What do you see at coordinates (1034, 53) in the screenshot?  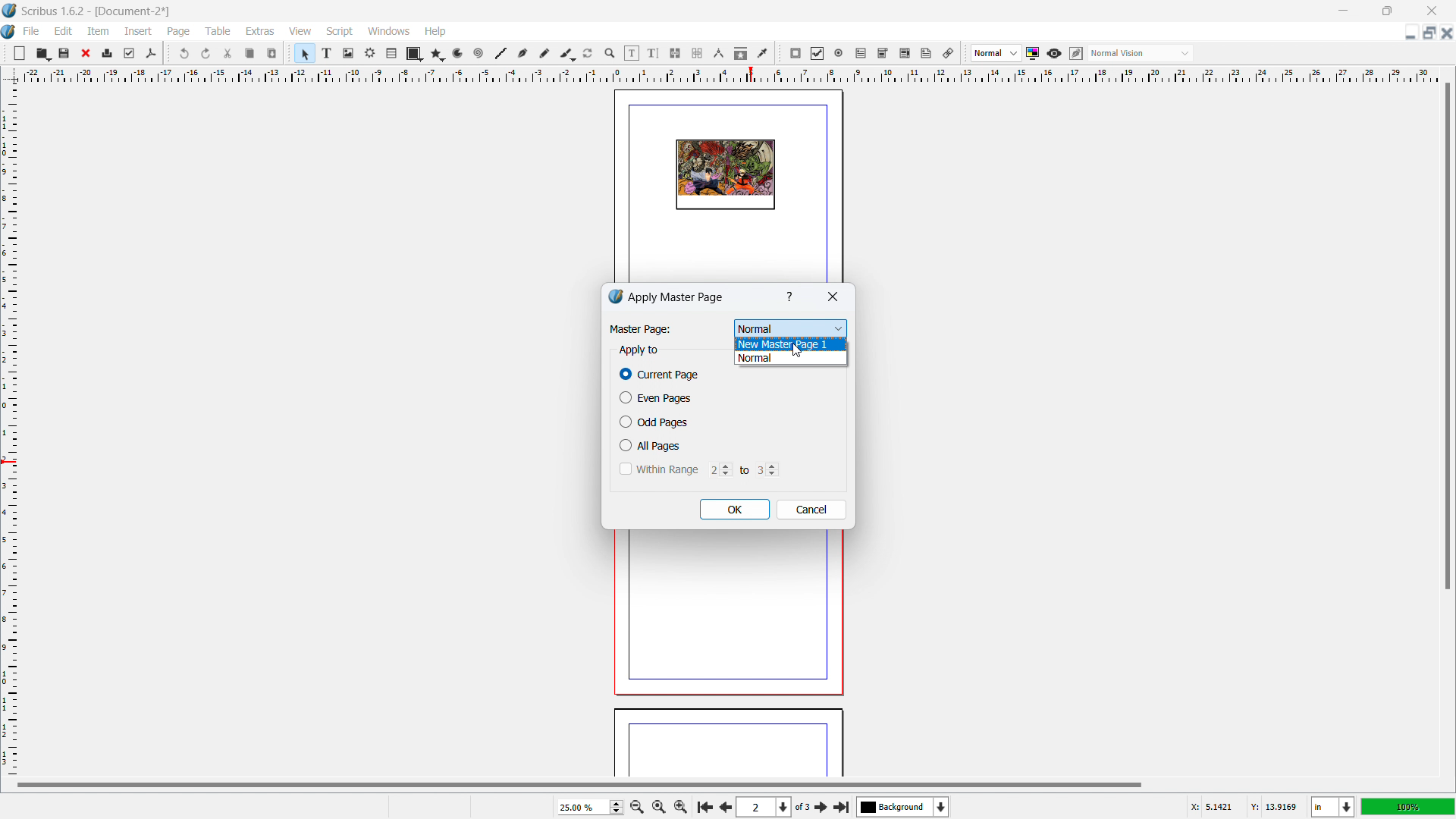 I see `toggle color management system` at bounding box center [1034, 53].